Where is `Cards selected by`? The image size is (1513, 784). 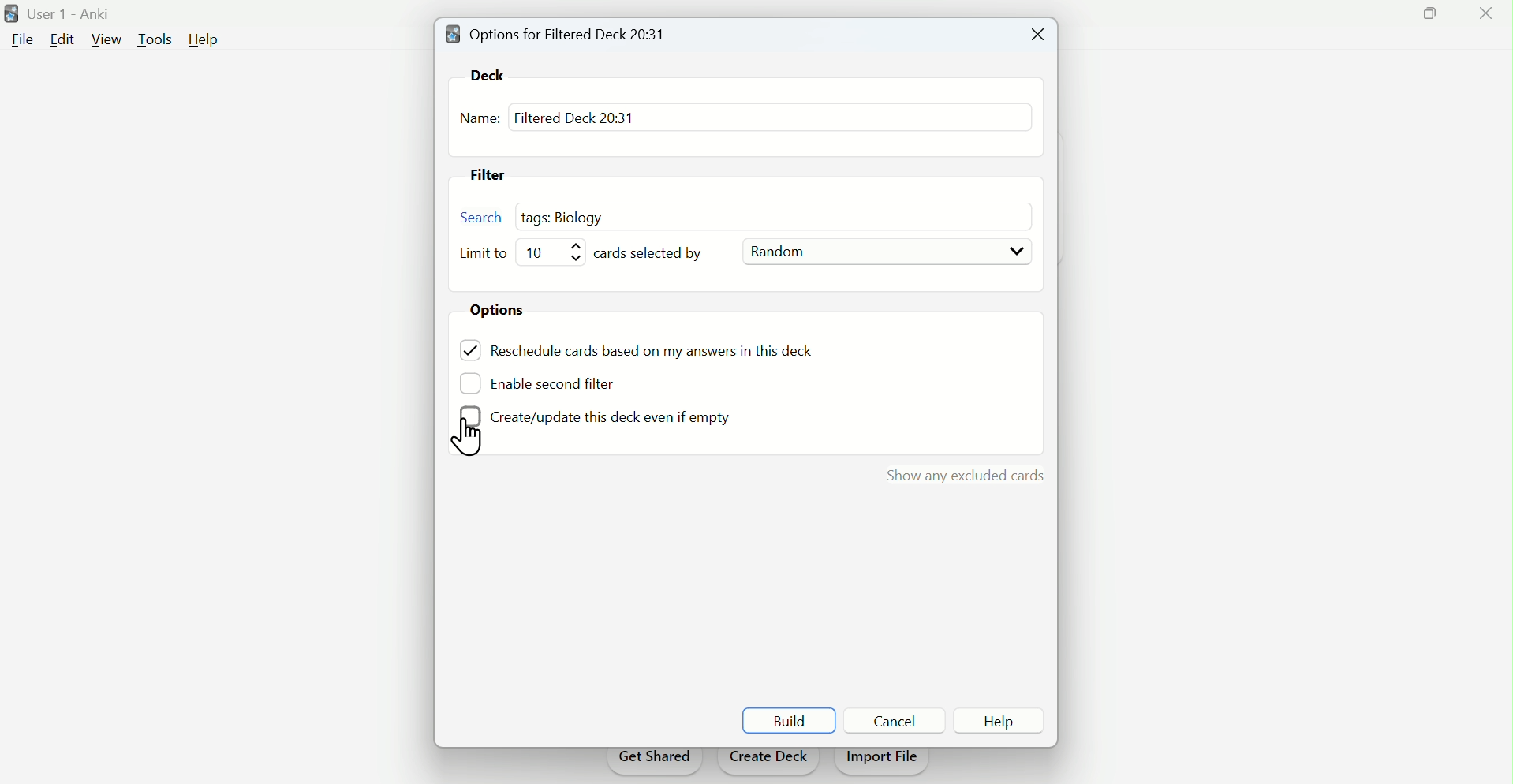 Cards selected by is located at coordinates (657, 253).